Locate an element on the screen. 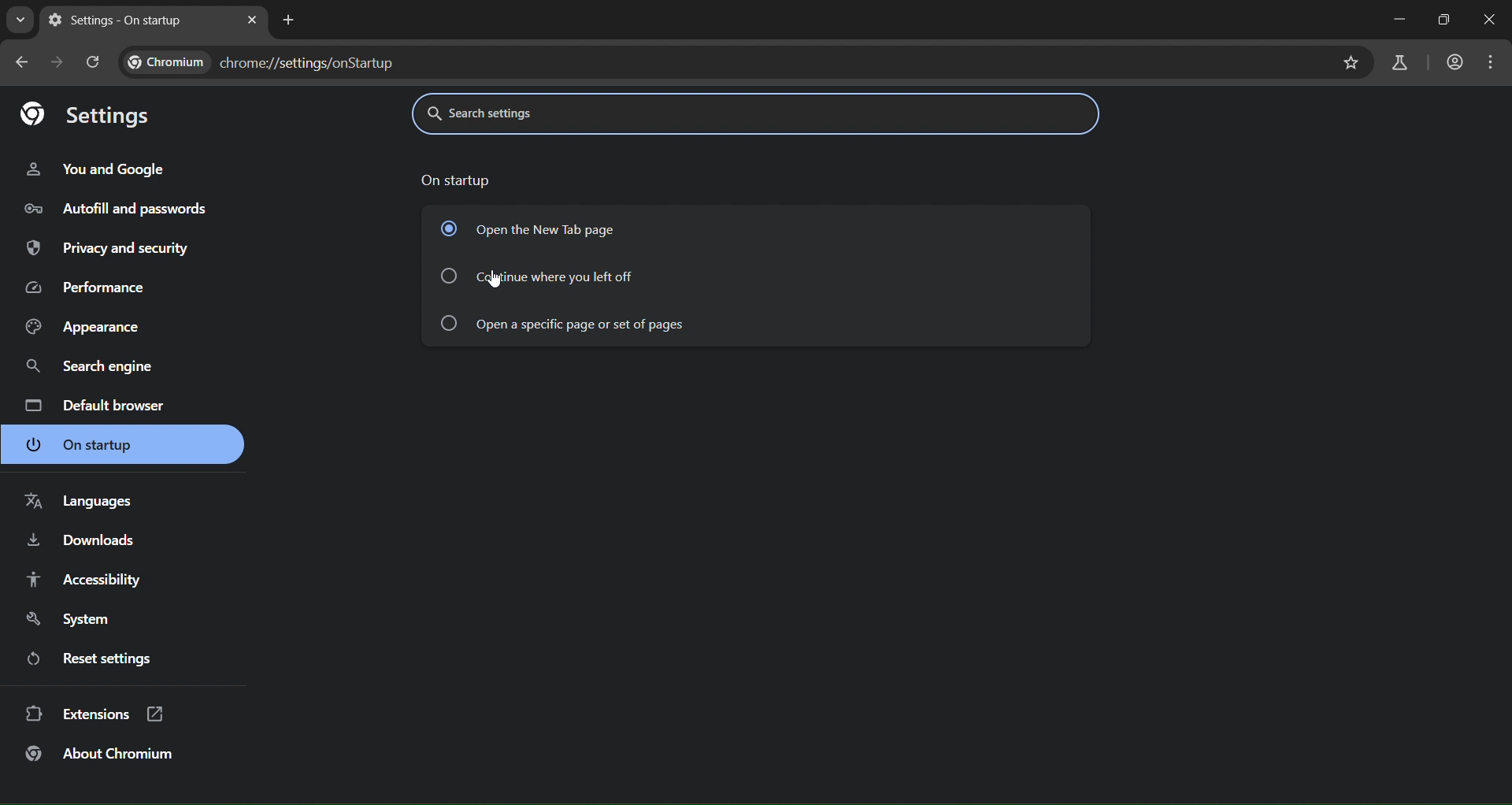 The height and width of the screenshot is (805, 1512). current page is located at coordinates (115, 20).